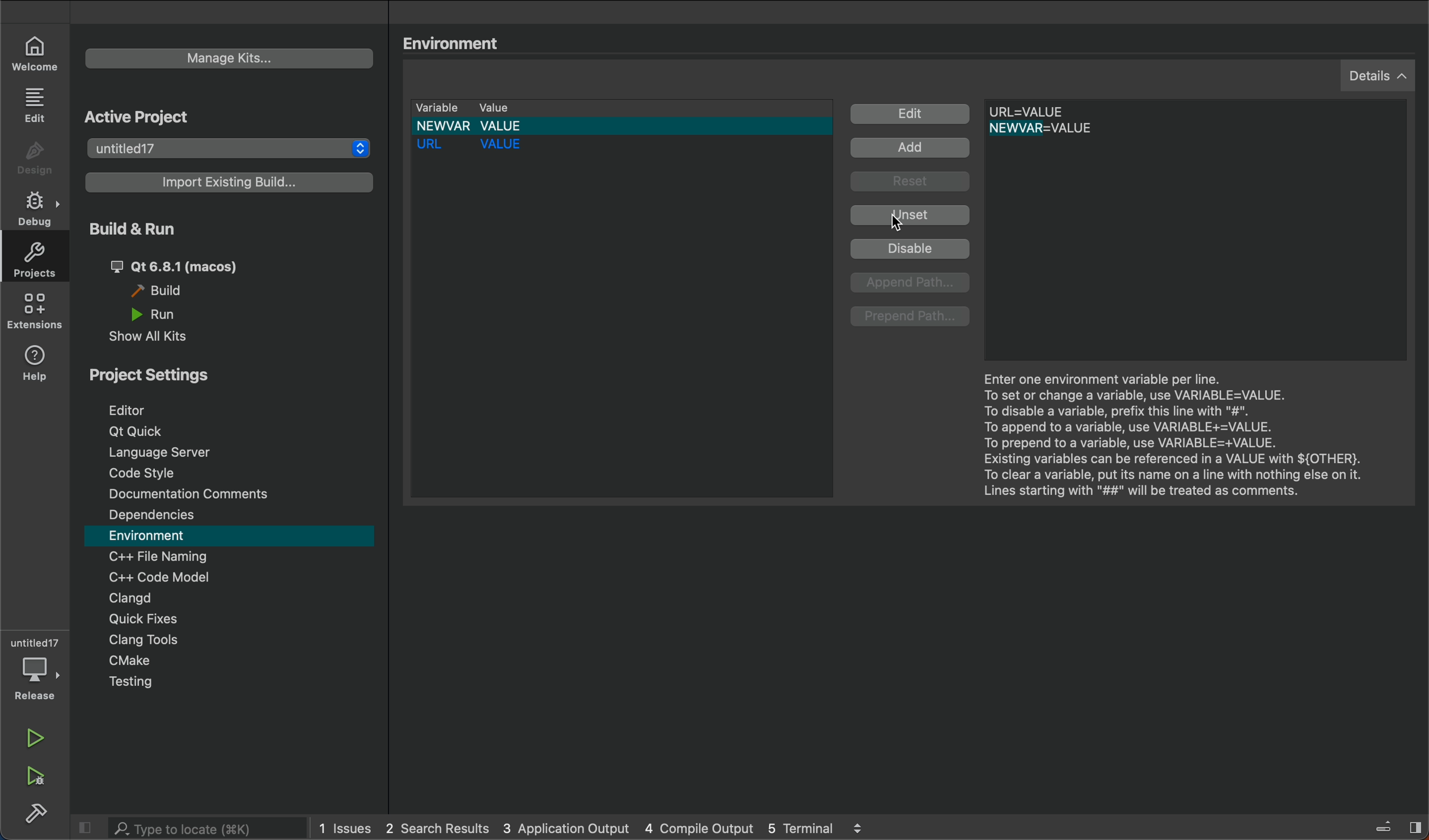 This screenshot has height=840, width=1429. I want to click on editor, so click(126, 410).